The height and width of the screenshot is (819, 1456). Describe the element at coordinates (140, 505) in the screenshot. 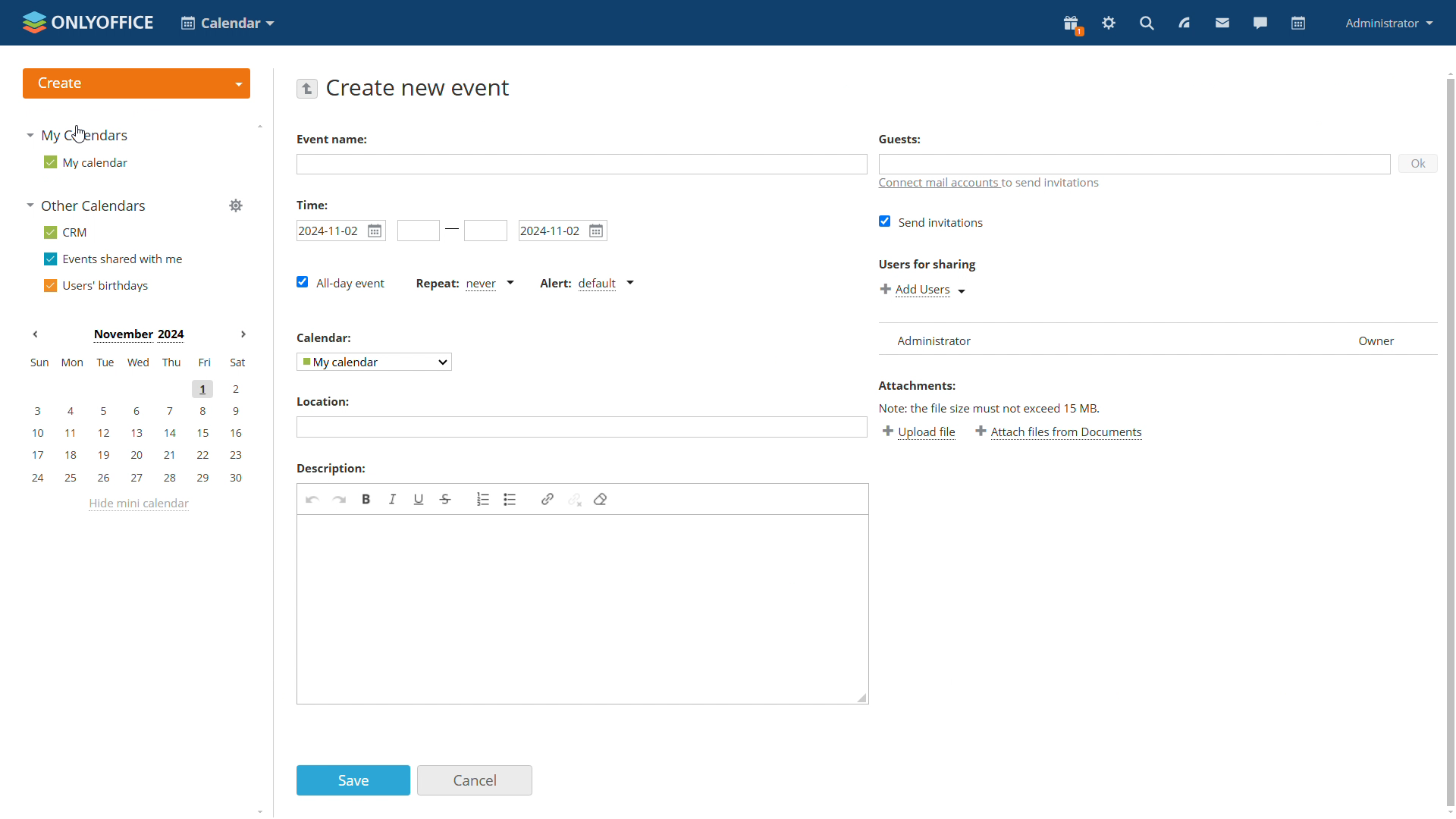

I see `hide mini calendar` at that location.